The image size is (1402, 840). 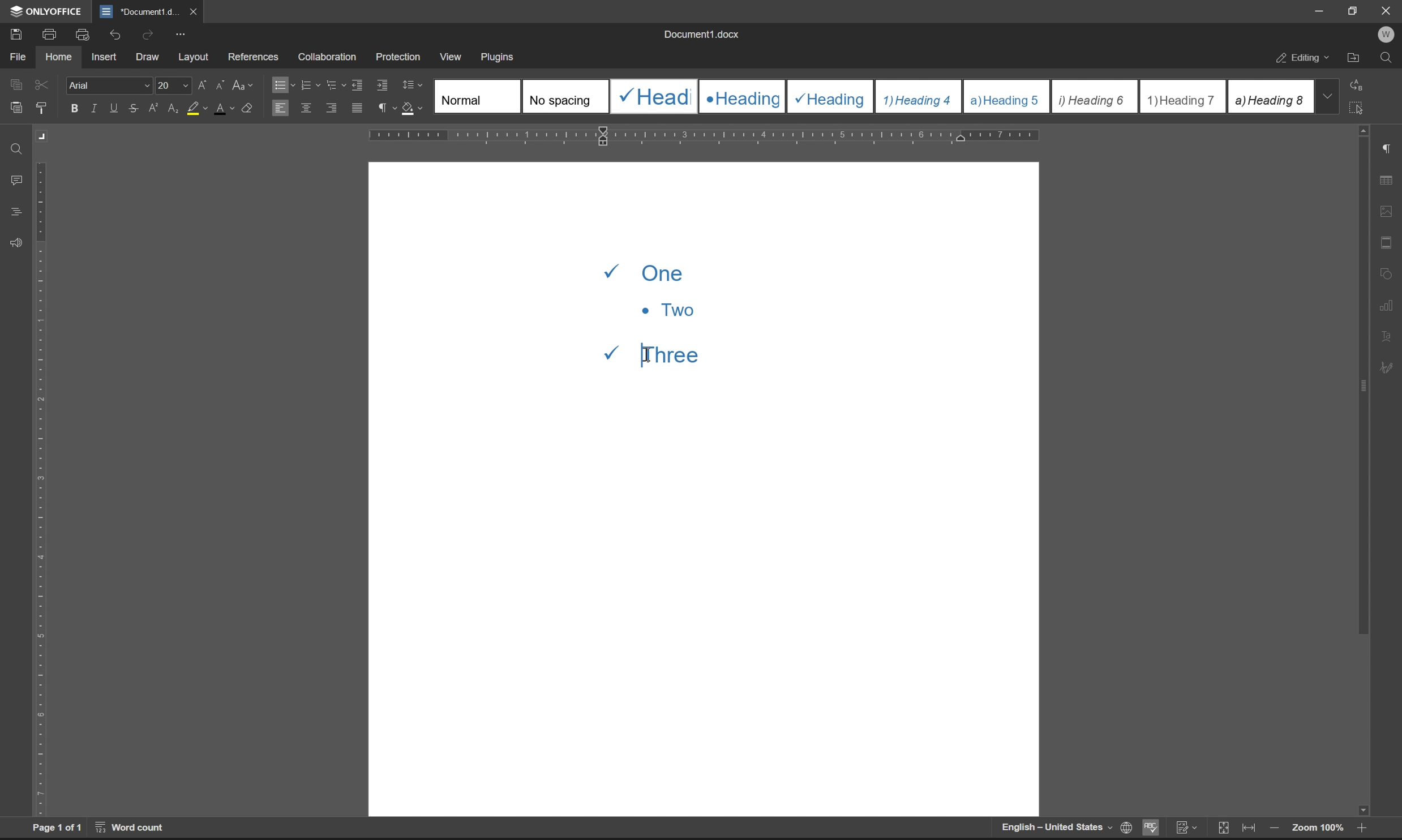 I want to click on font color, so click(x=225, y=108).